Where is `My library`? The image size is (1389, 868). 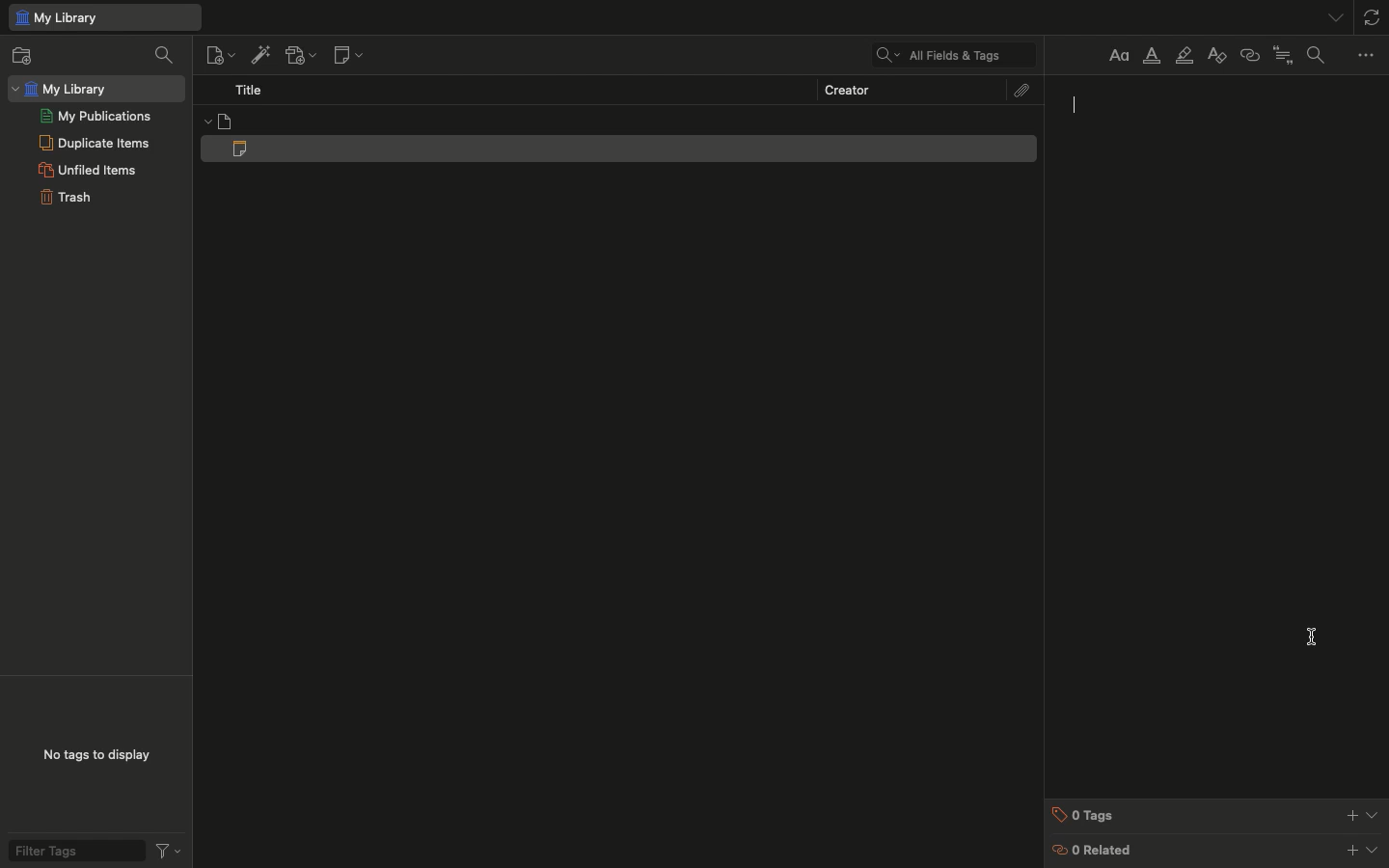 My library is located at coordinates (103, 18).